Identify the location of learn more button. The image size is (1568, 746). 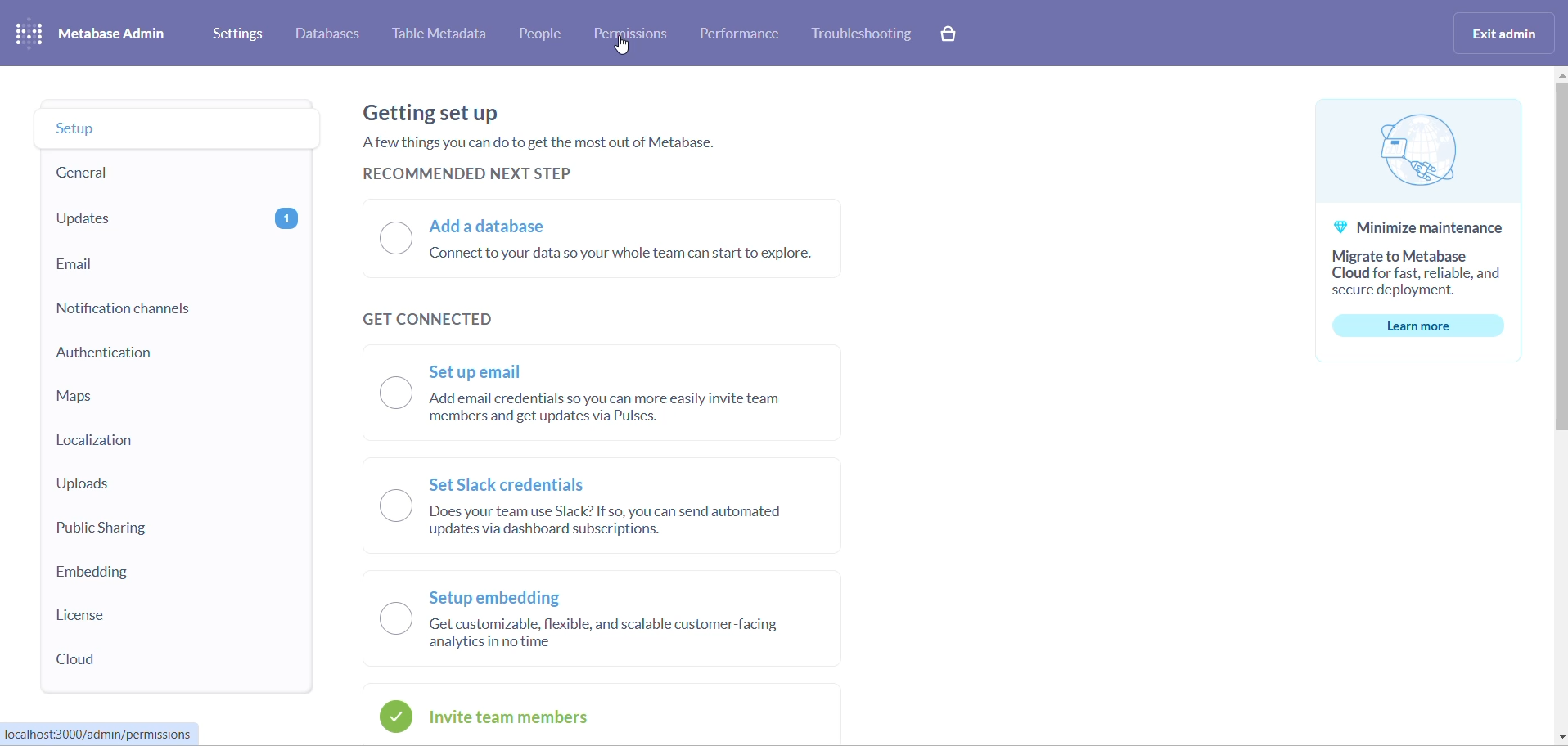
(1416, 330).